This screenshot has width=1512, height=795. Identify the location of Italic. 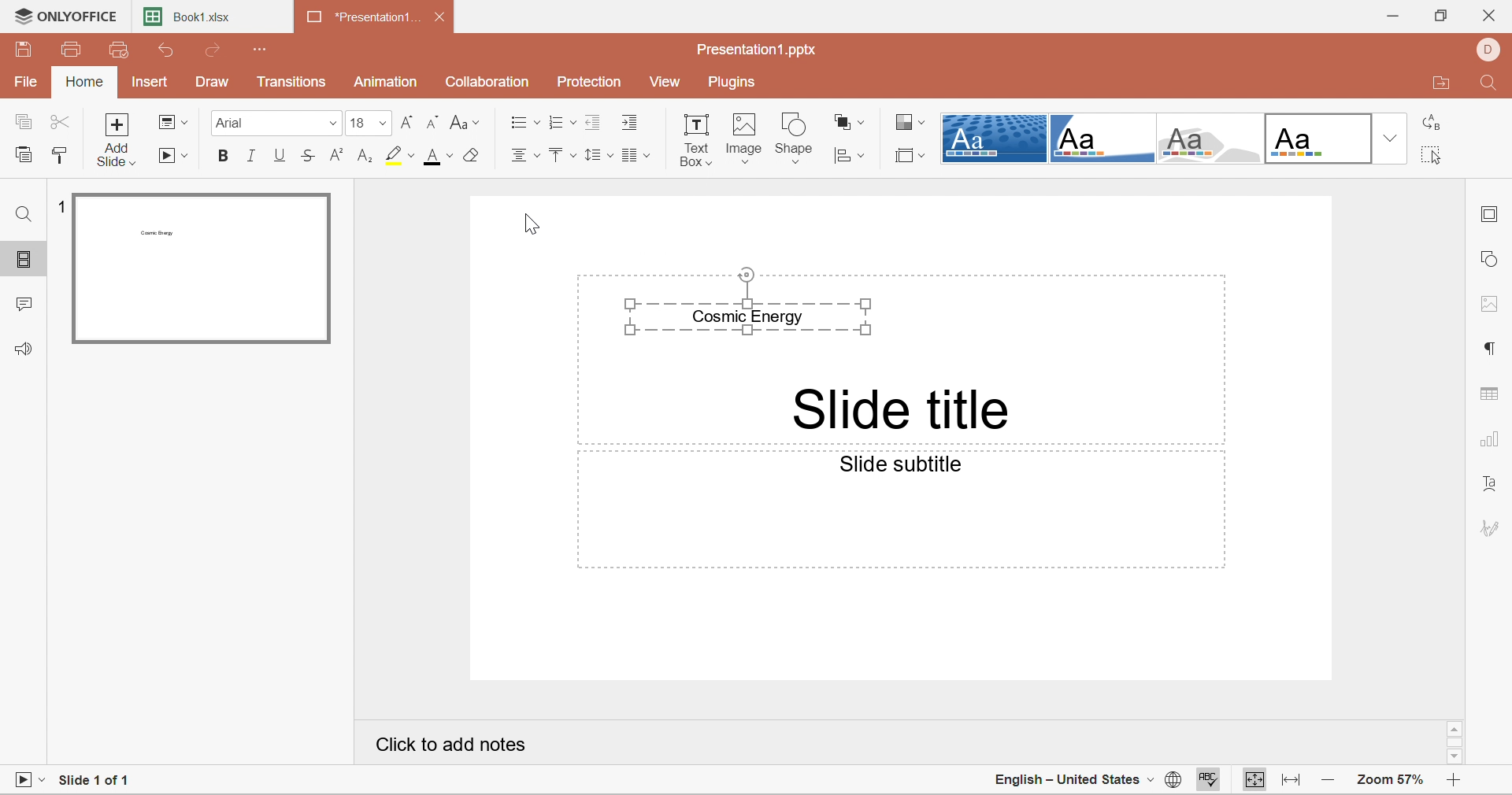
(251, 157).